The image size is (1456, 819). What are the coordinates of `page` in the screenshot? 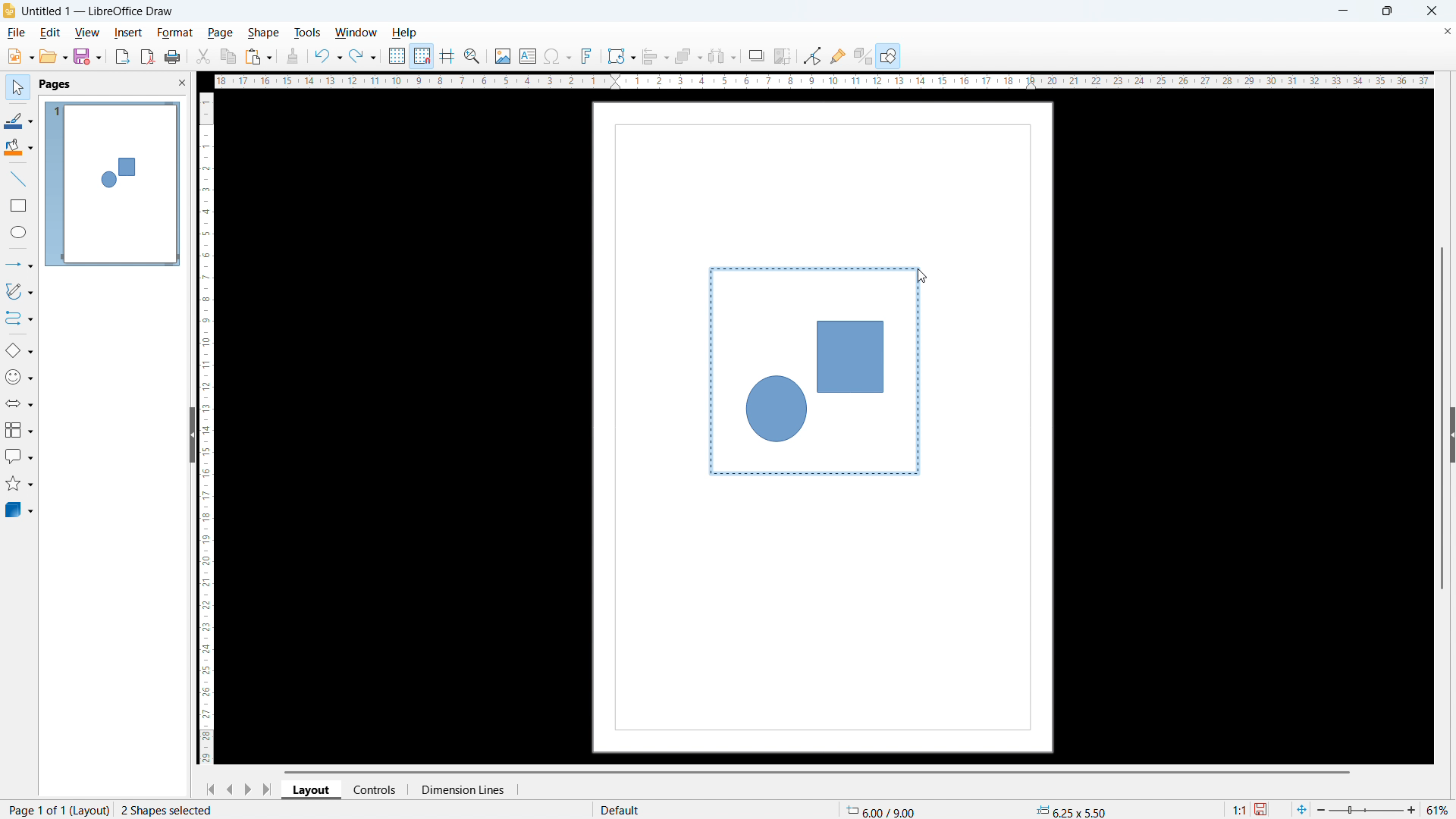 It's located at (221, 32).